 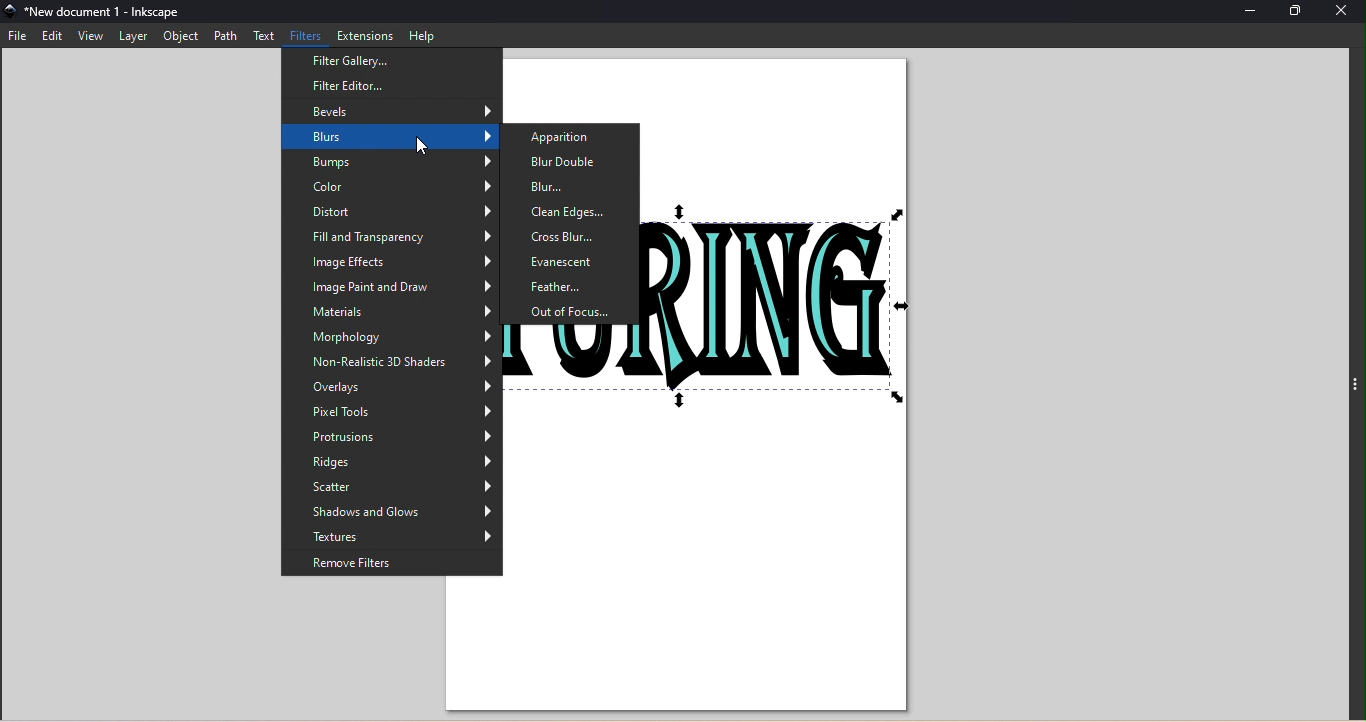 I want to click on Protrusions, so click(x=390, y=436).